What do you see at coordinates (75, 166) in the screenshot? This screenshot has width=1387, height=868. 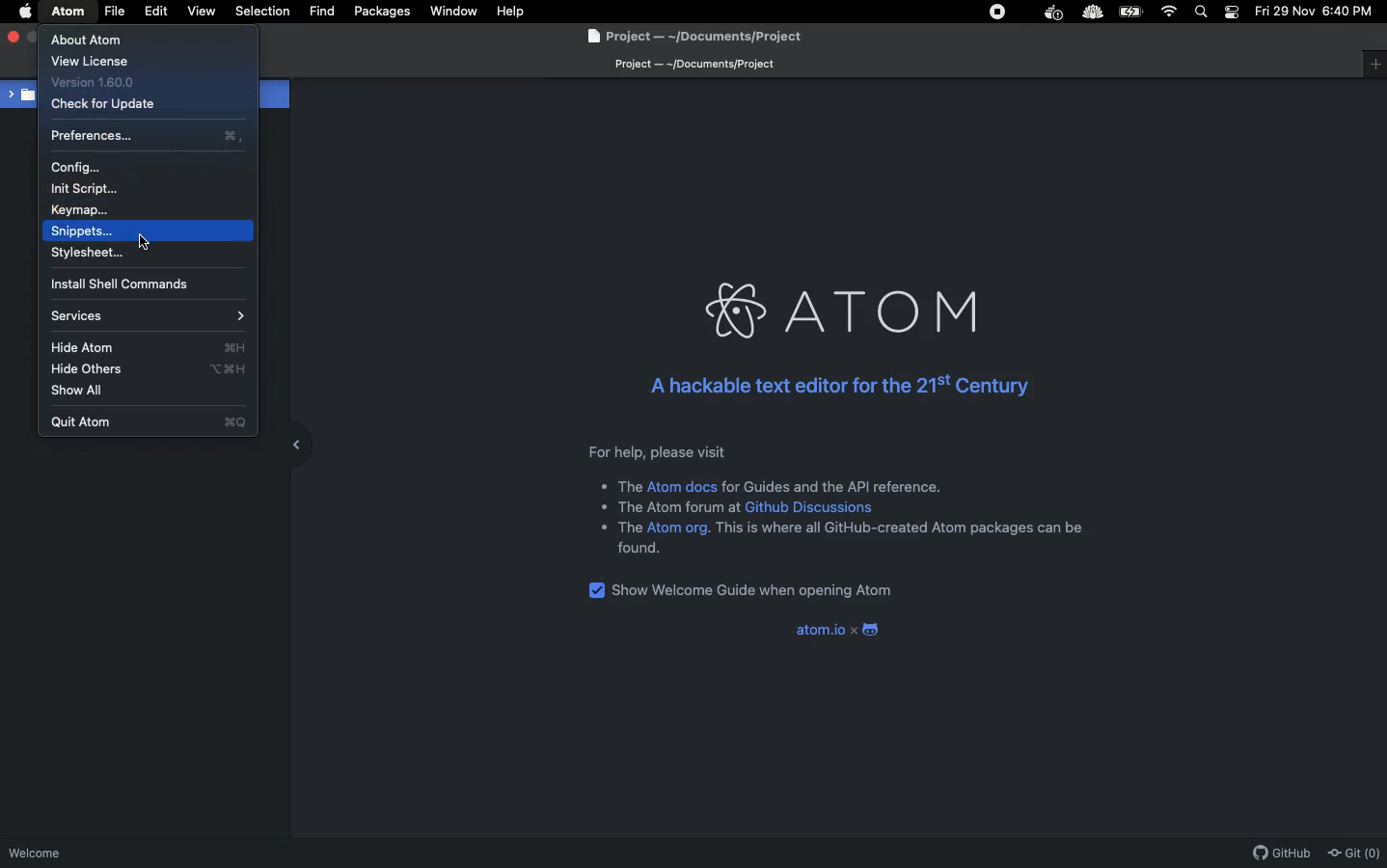 I see `Config` at bounding box center [75, 166].